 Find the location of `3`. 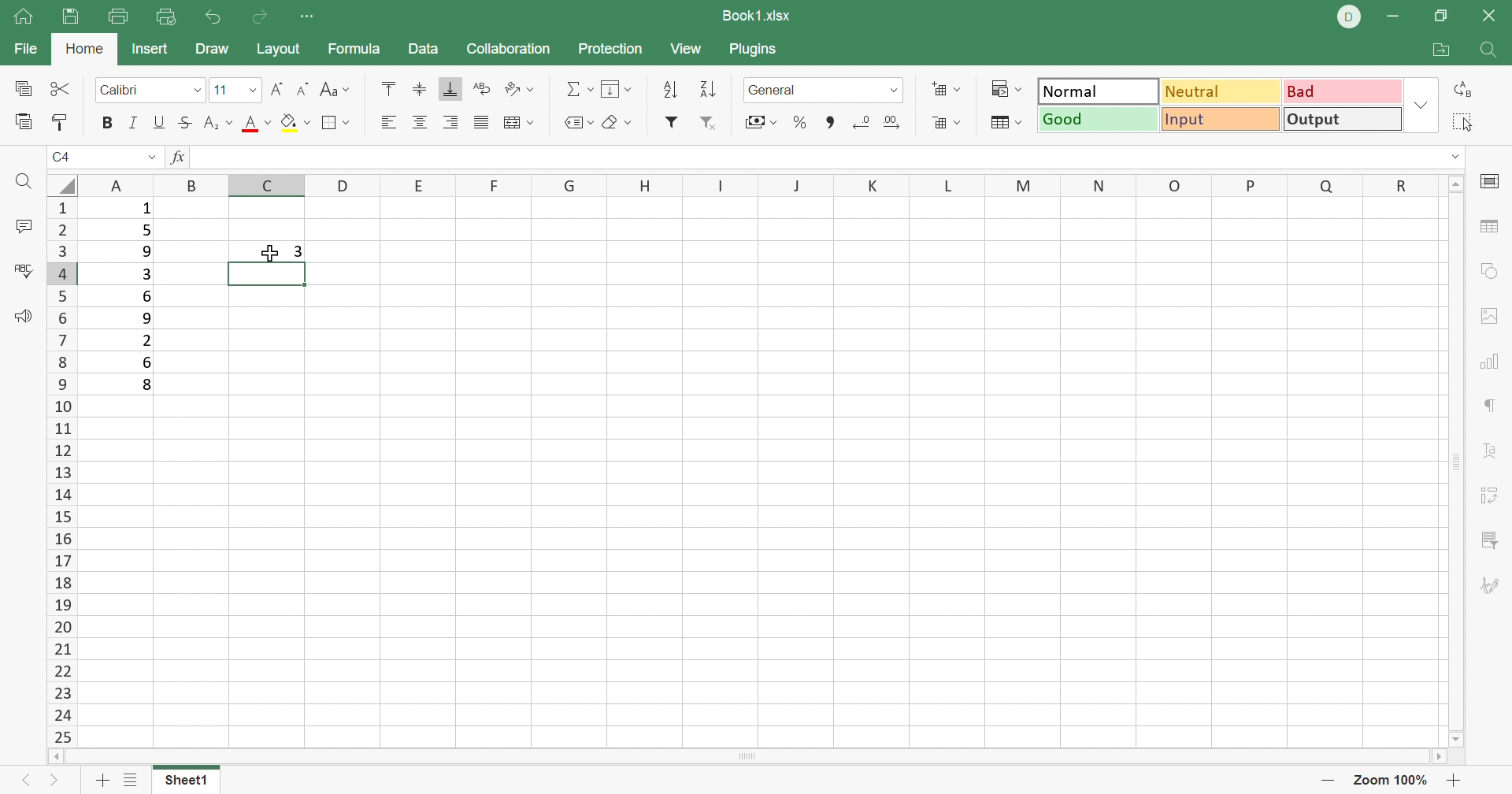

3 is located at coordinates (146, 276).